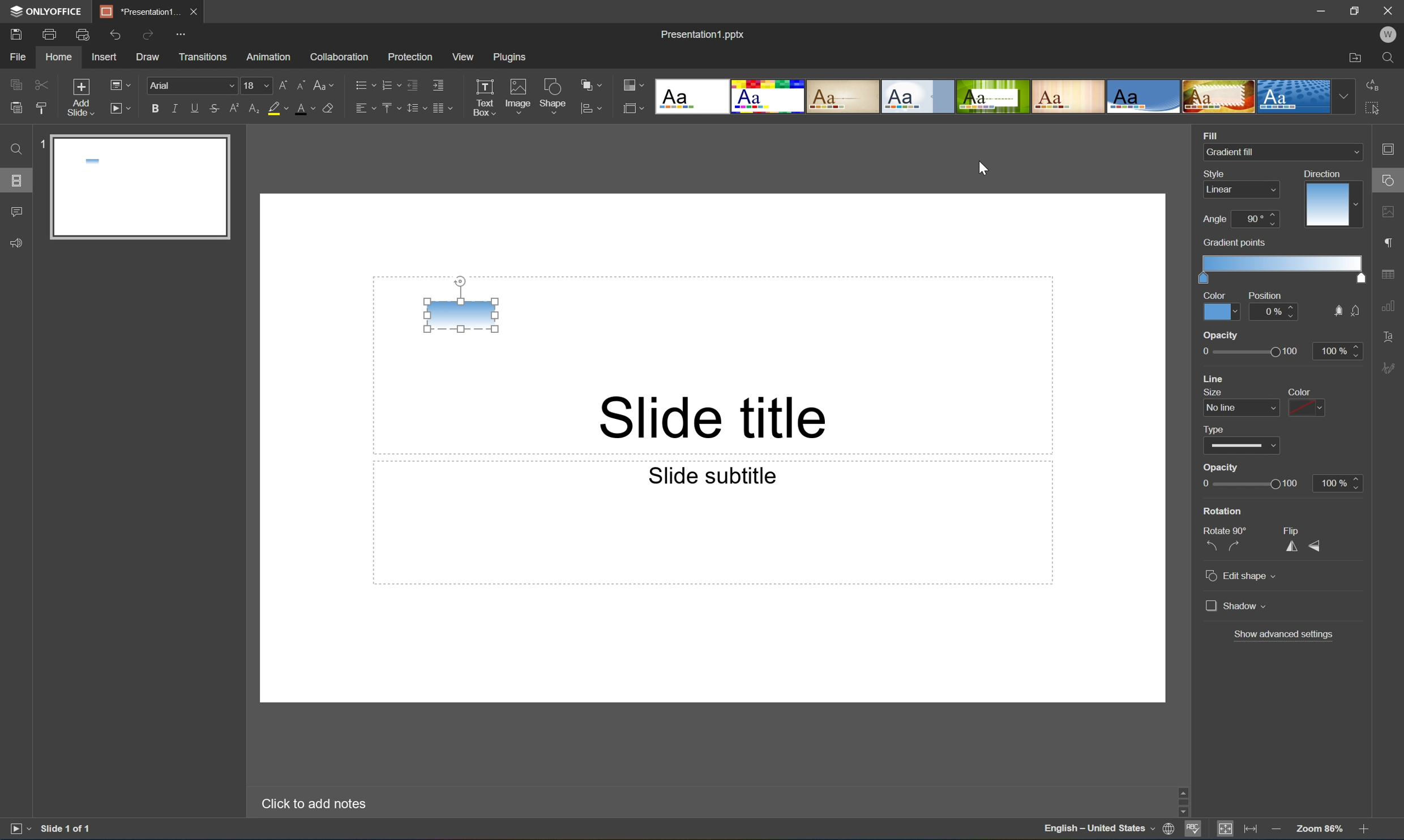 This screenshot has height=840, width=1404. Describe the element at coordinates (1363, 831) in the screenshot. I see `Zoom In` at that location.